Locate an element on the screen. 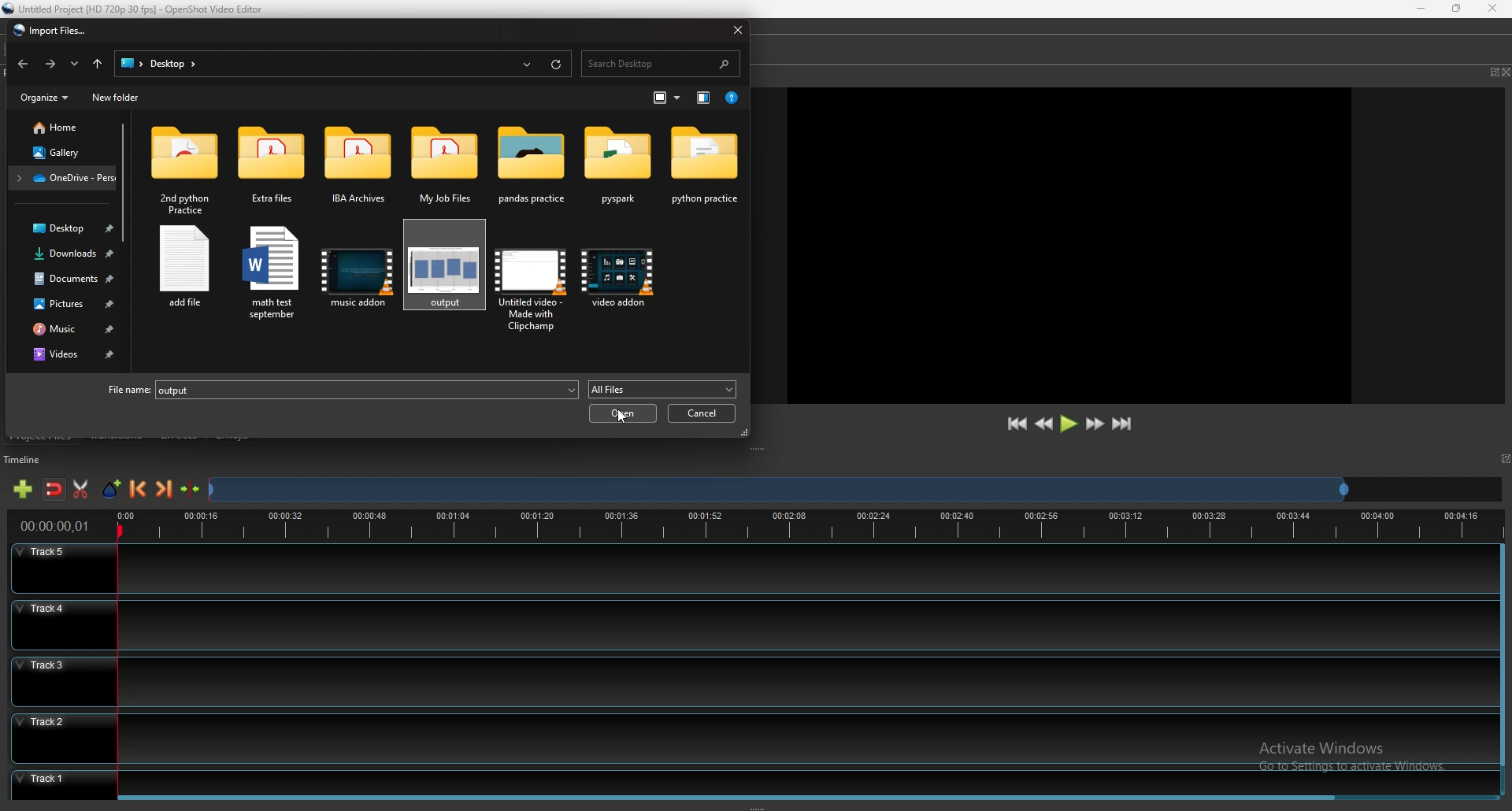 The height and width of the screenshot is (811, 1512). gallery is located at coordinates (62, 152).